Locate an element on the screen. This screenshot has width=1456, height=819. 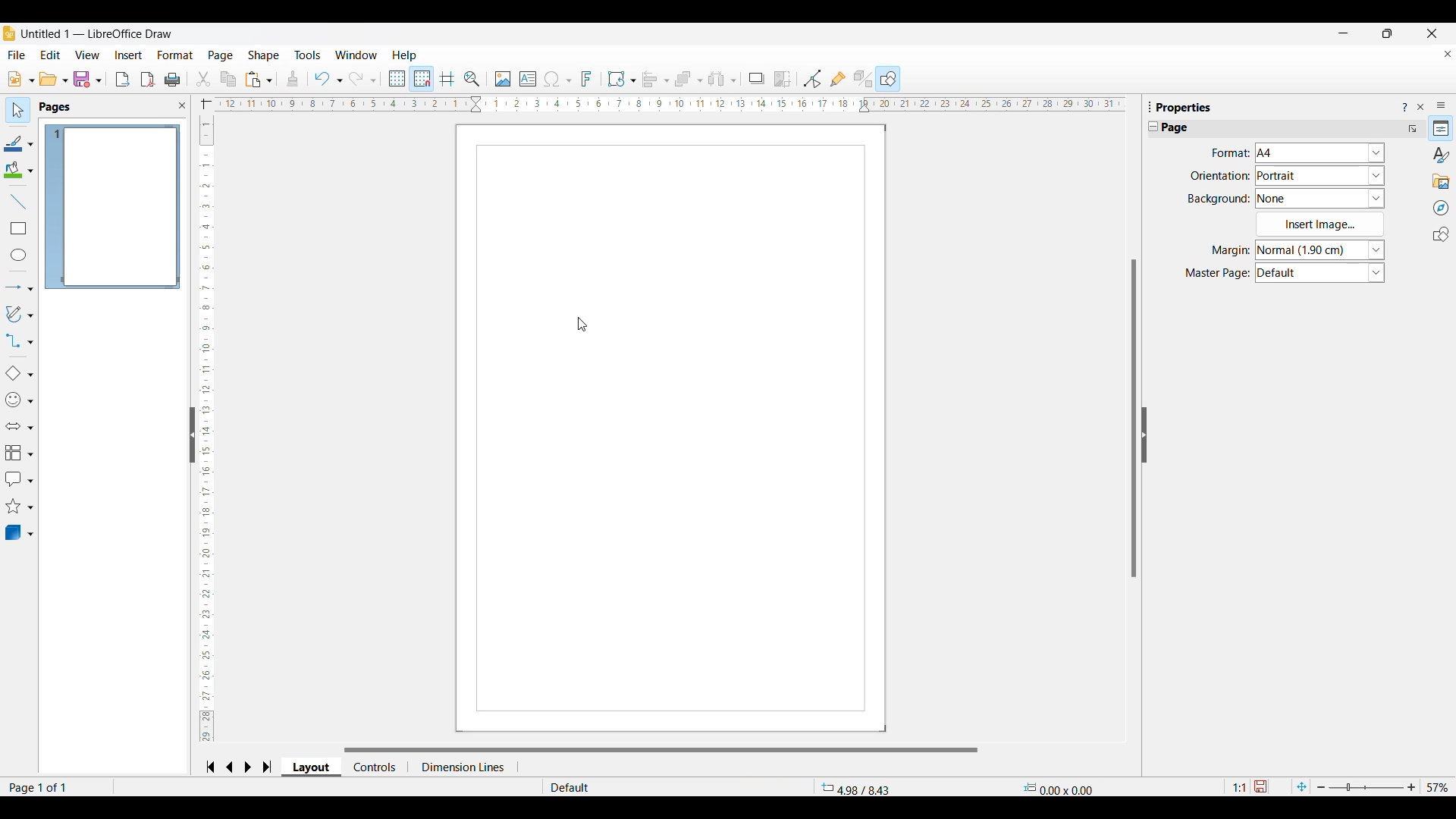
Shapes, current selection is located at coordinates (888, 79).